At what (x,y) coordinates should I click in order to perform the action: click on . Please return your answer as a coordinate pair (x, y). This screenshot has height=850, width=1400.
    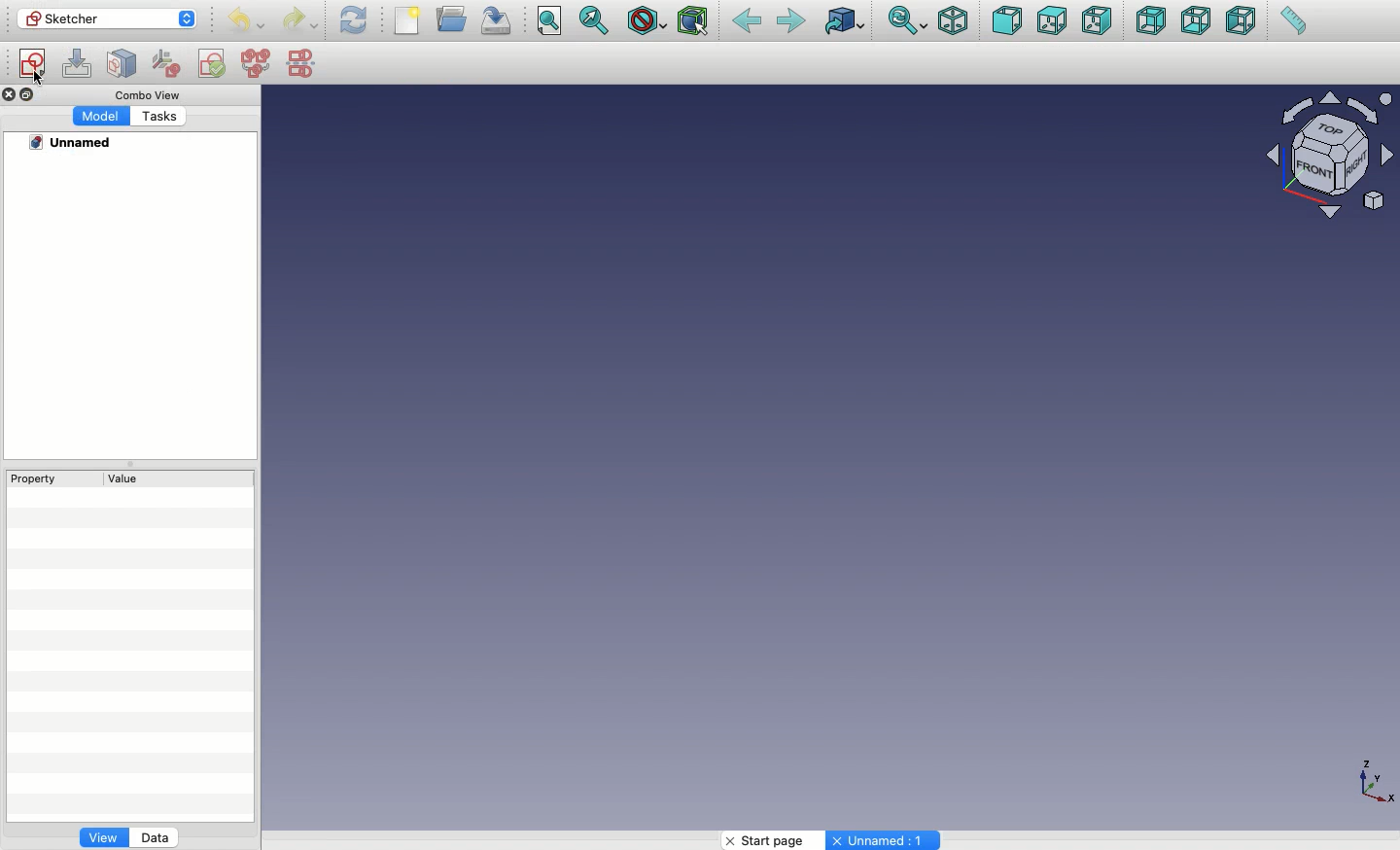
    Looking at the image, I should click on (99, 116).